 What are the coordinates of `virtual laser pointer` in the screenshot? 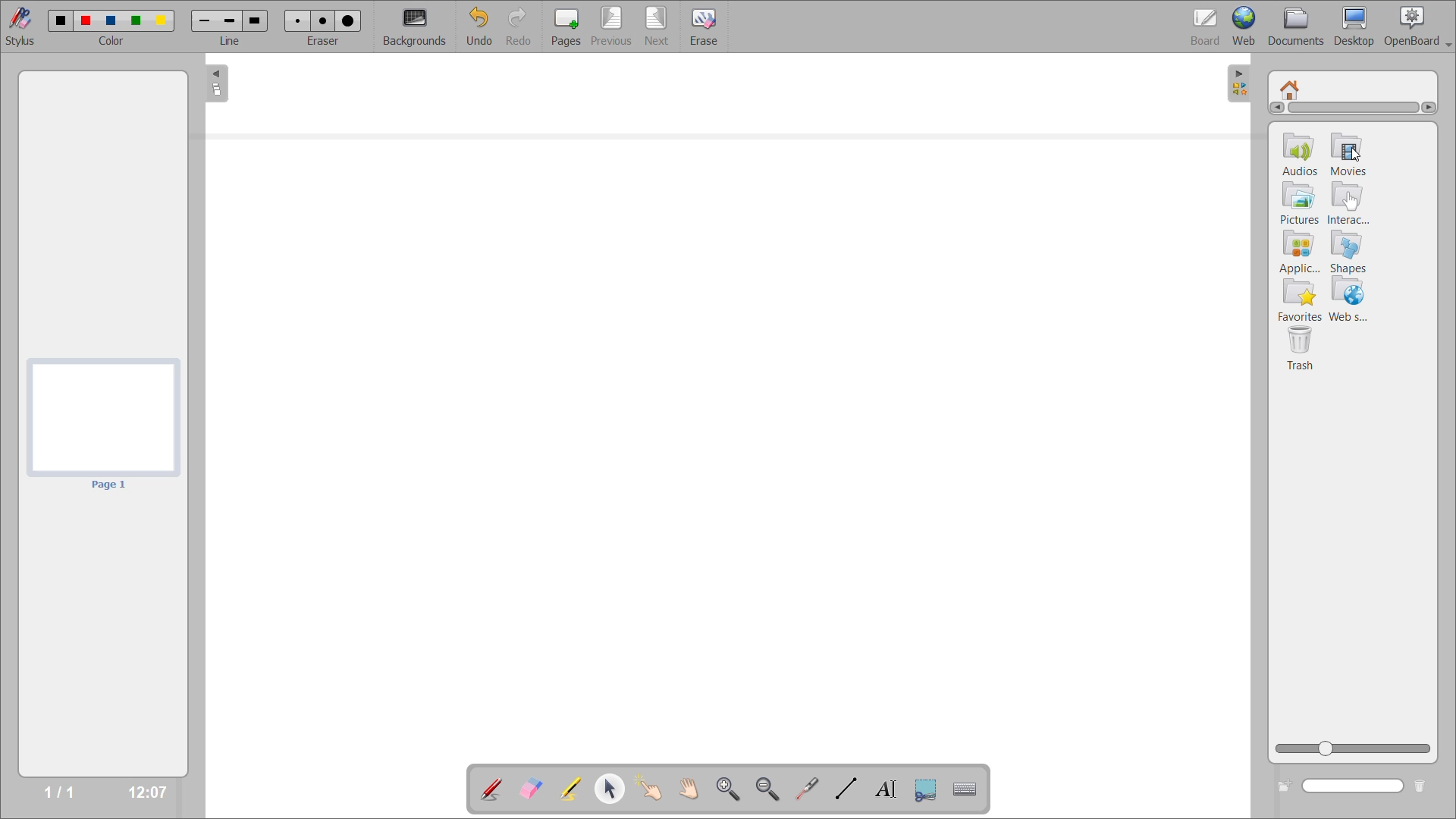 It's located at (808, 788).